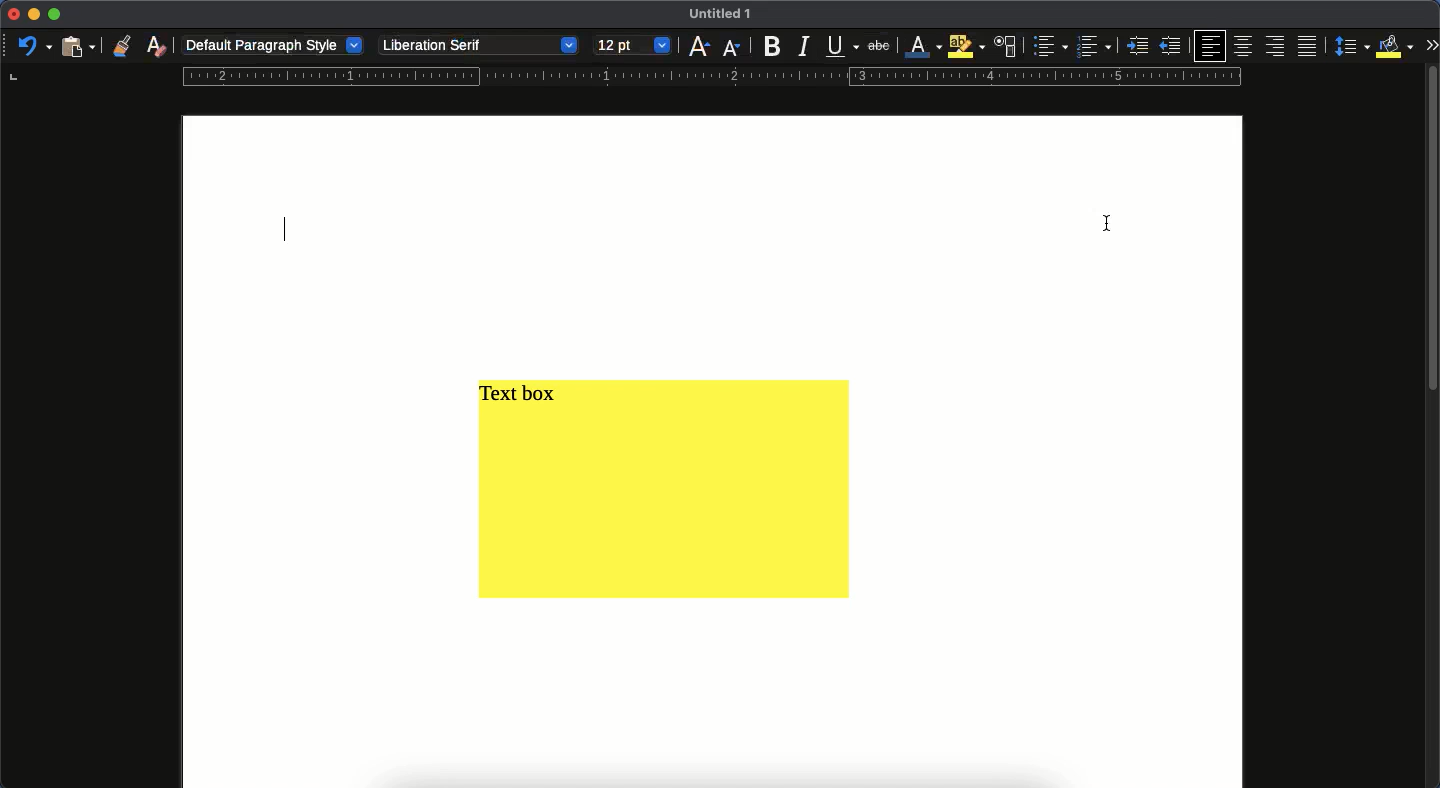 Image resolution: width=1440 pixels, height=788 pixels. I want to click on right align, so click(1276, 48).